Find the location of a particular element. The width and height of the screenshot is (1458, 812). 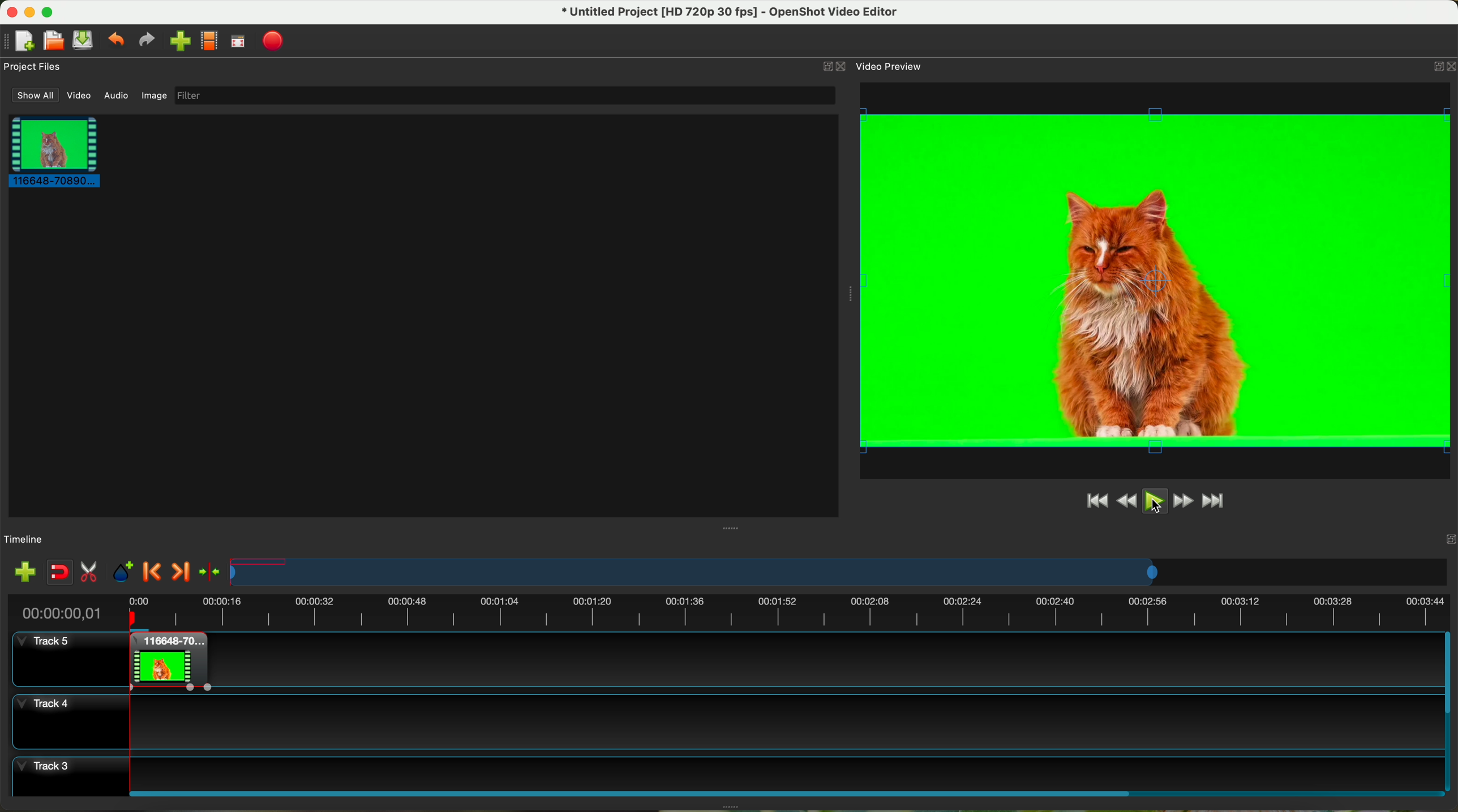

import files is located at coordinates (24, 573).